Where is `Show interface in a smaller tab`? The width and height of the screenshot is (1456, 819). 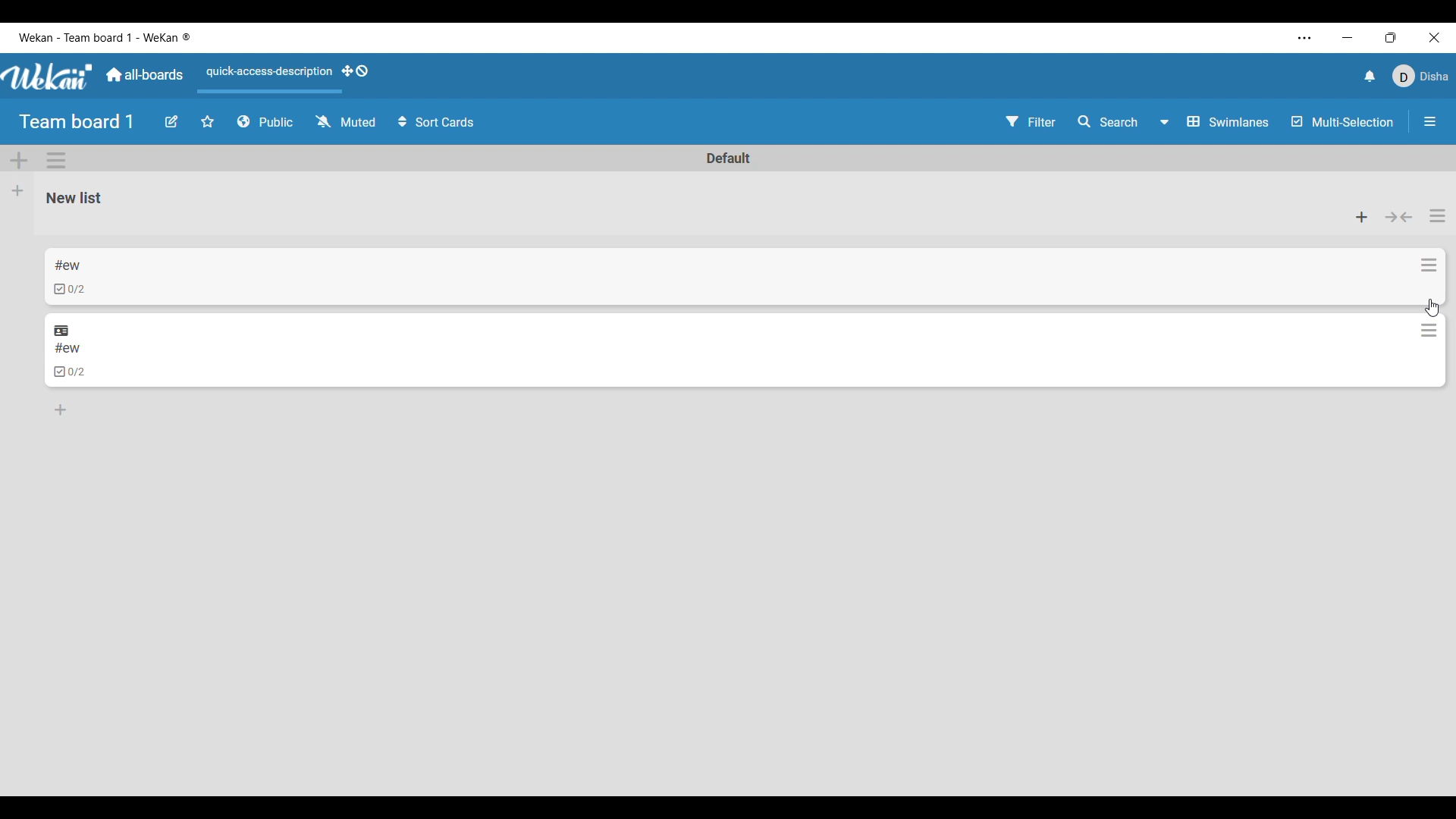 Show interface in a smaller tab is located at coordinates (1391, 38).